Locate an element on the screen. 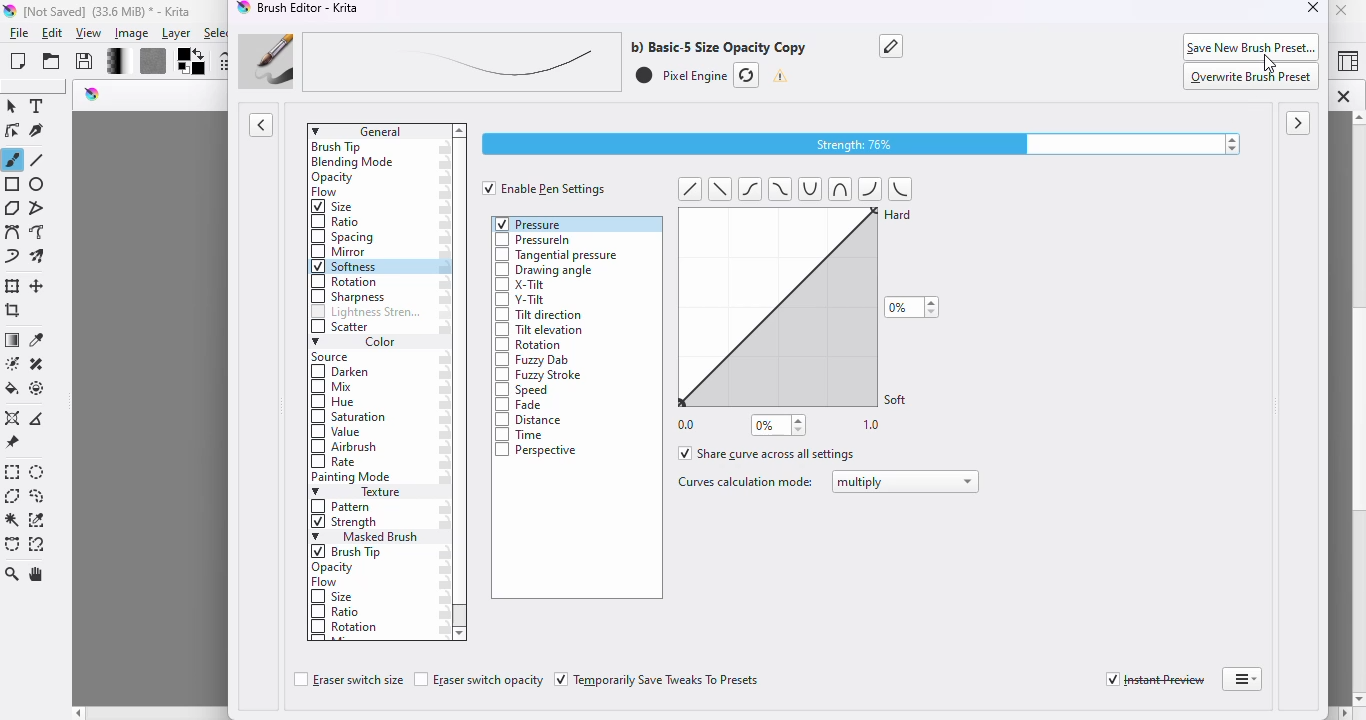  select shapes tool is located at coordinates (12, 106).